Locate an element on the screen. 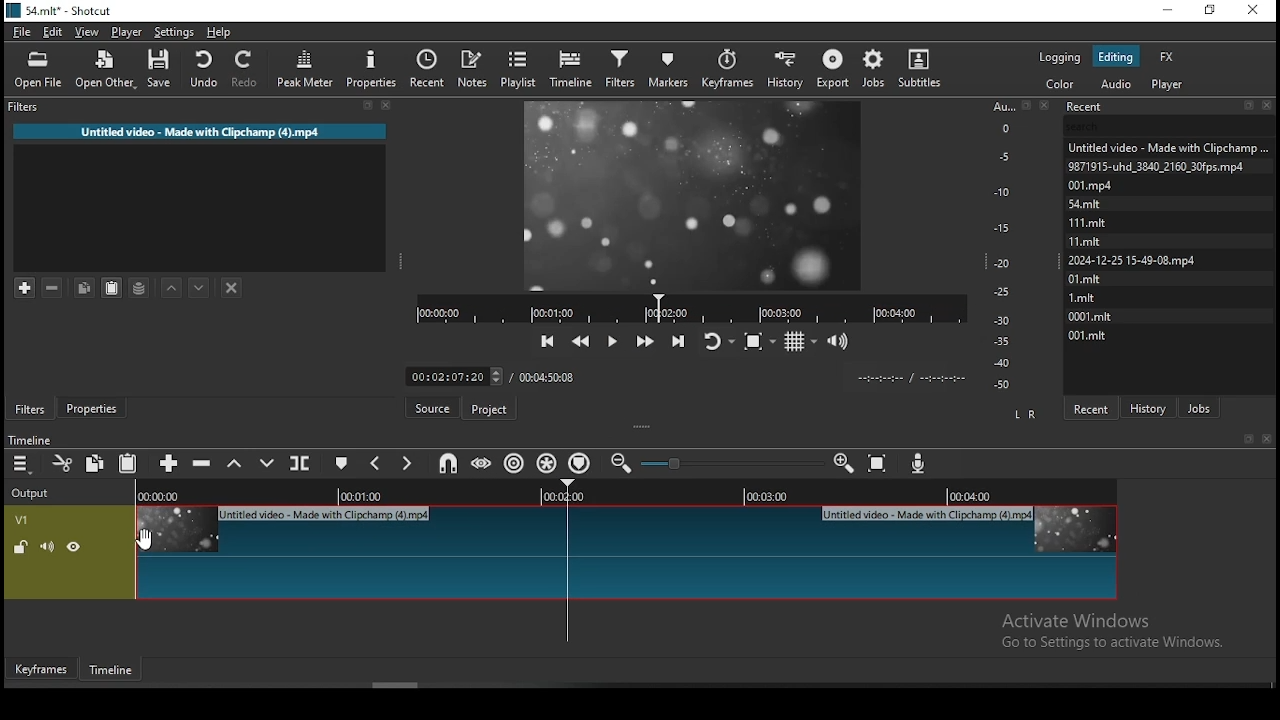 The image size is (1280, 720). ripple all tracks is located at coordinates (545, 460).